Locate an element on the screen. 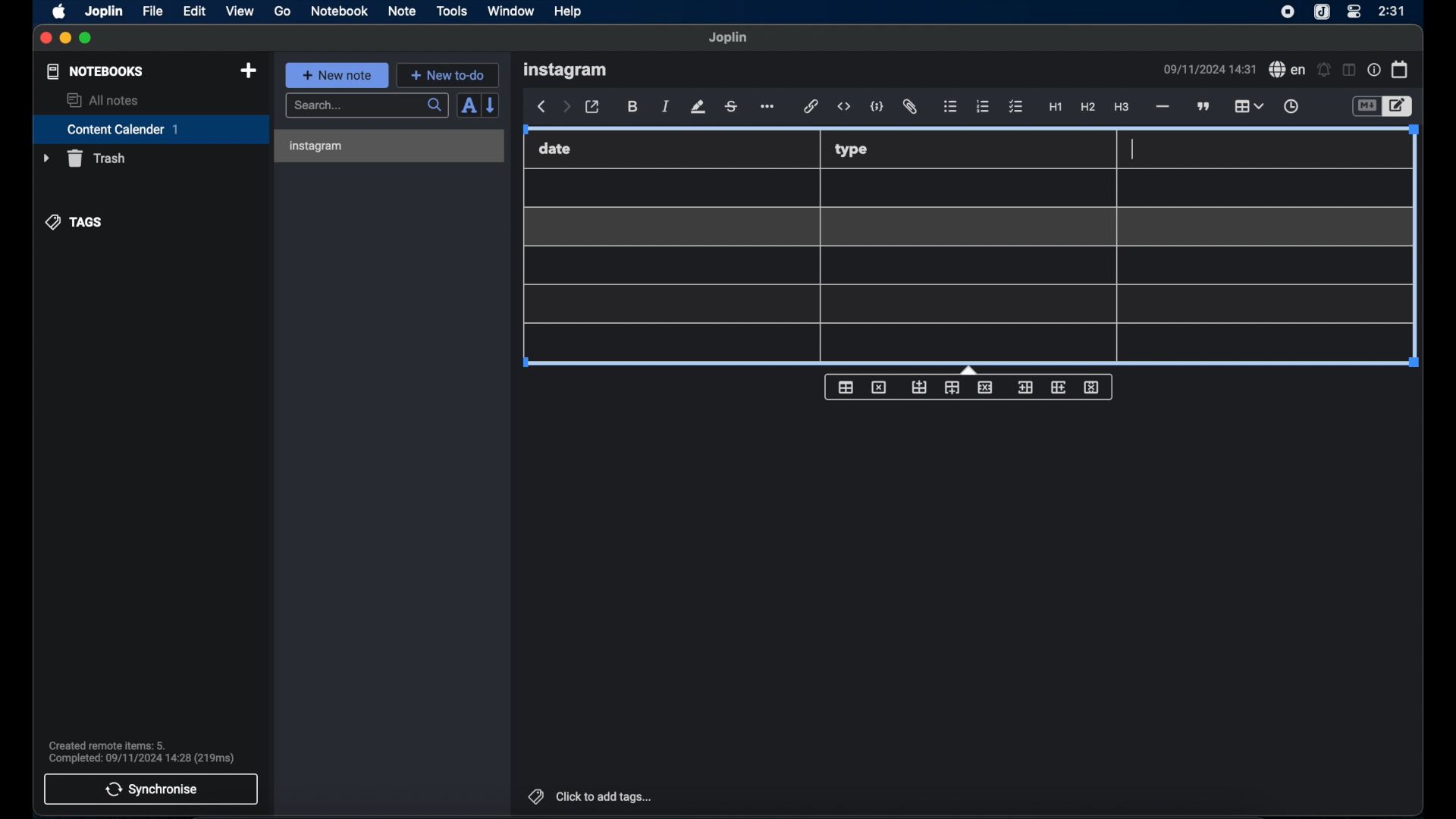 The height and width of the screenshot is (819, 1456). heading 1 is located at coordinates (1056, 108).